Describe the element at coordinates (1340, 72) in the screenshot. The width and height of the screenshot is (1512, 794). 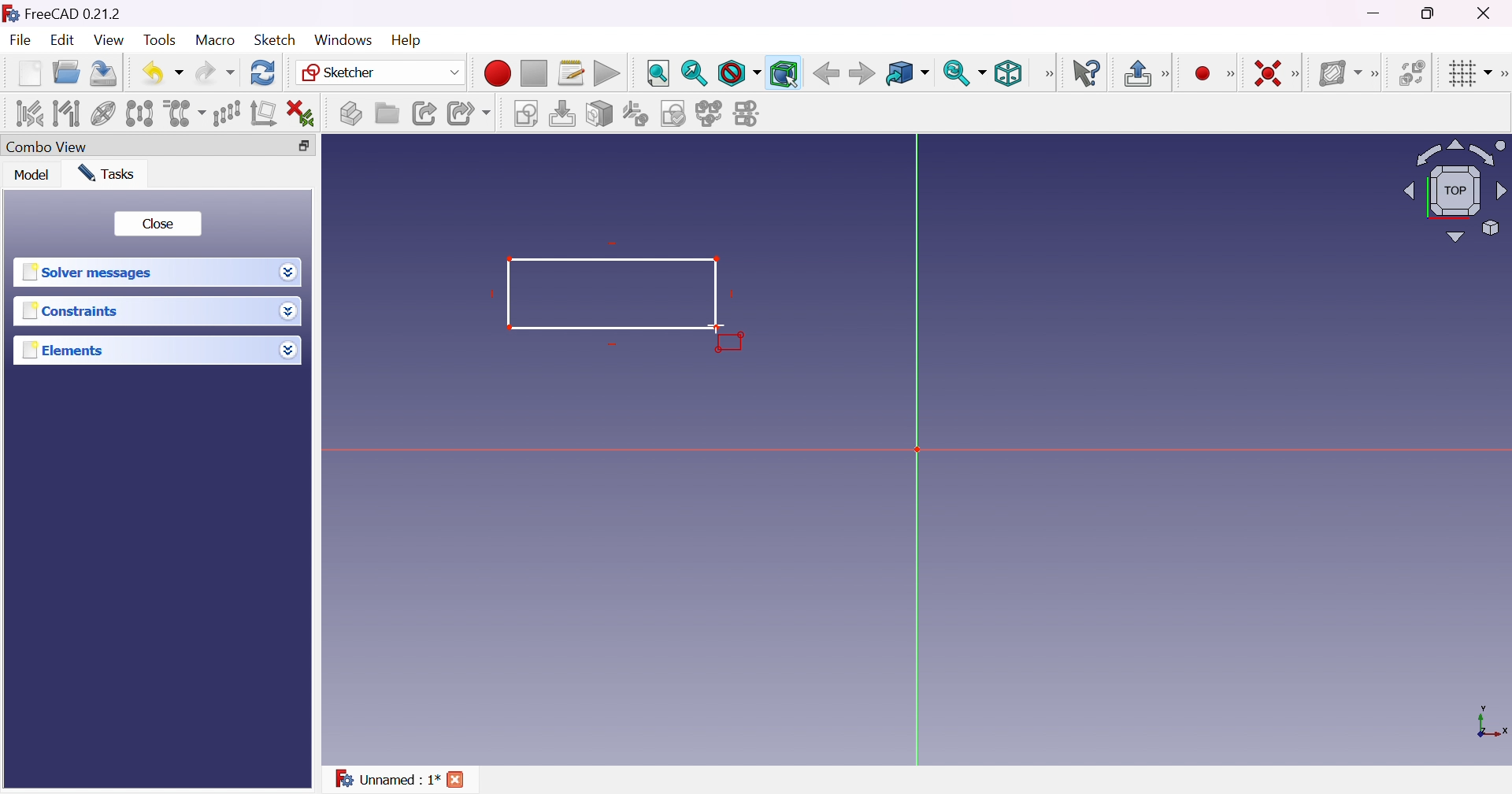
I see `Show/hide B-spline information layer` at that location.